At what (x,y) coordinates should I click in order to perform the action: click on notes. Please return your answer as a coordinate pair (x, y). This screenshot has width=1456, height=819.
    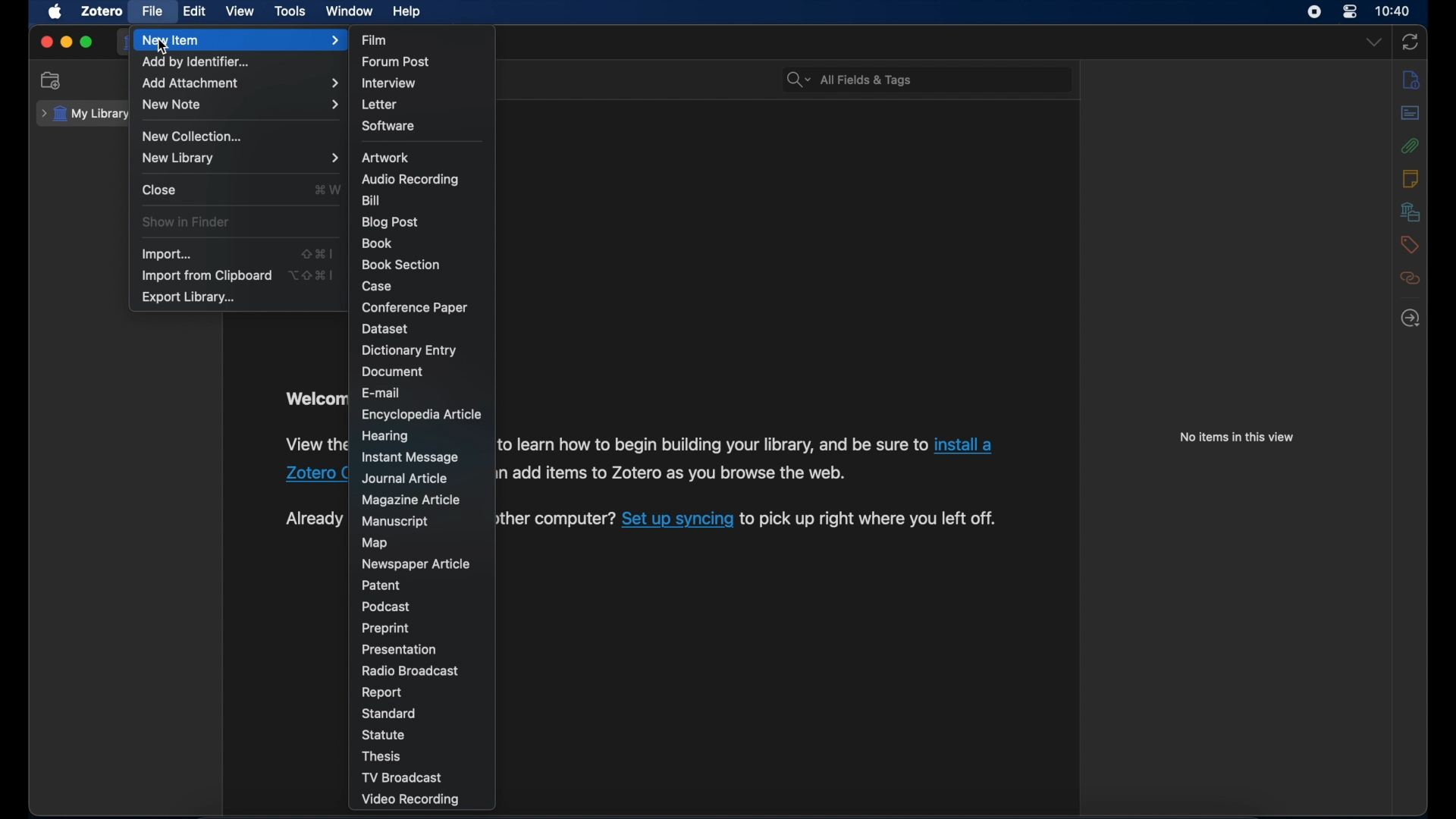
    Looking at the image, I should click on (1411, 178).